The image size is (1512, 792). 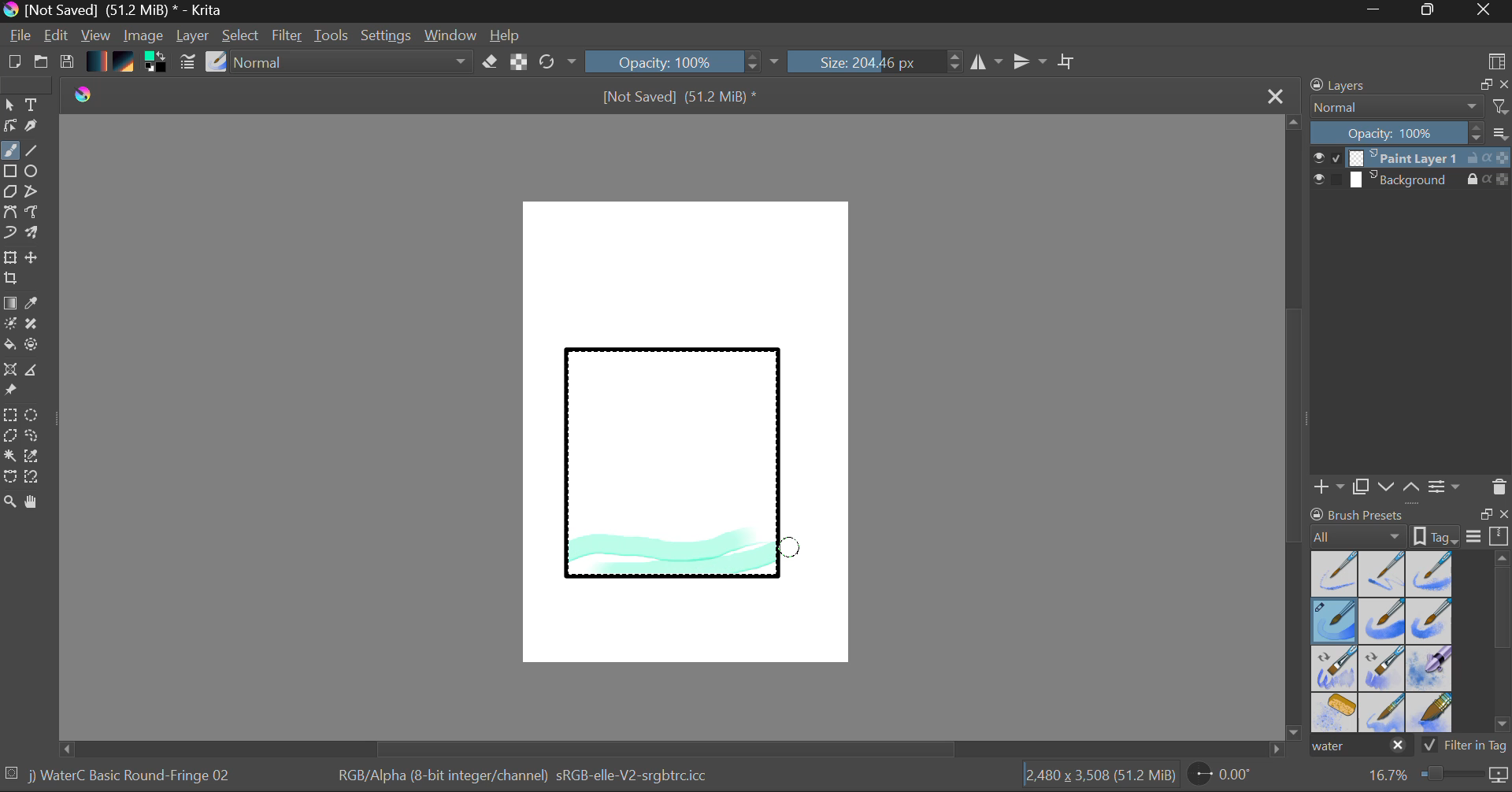 What do you see at coordinates (1430, 621) in the screenshot?
I see `Water C - Grunge` at bounding box center [1430, 621].